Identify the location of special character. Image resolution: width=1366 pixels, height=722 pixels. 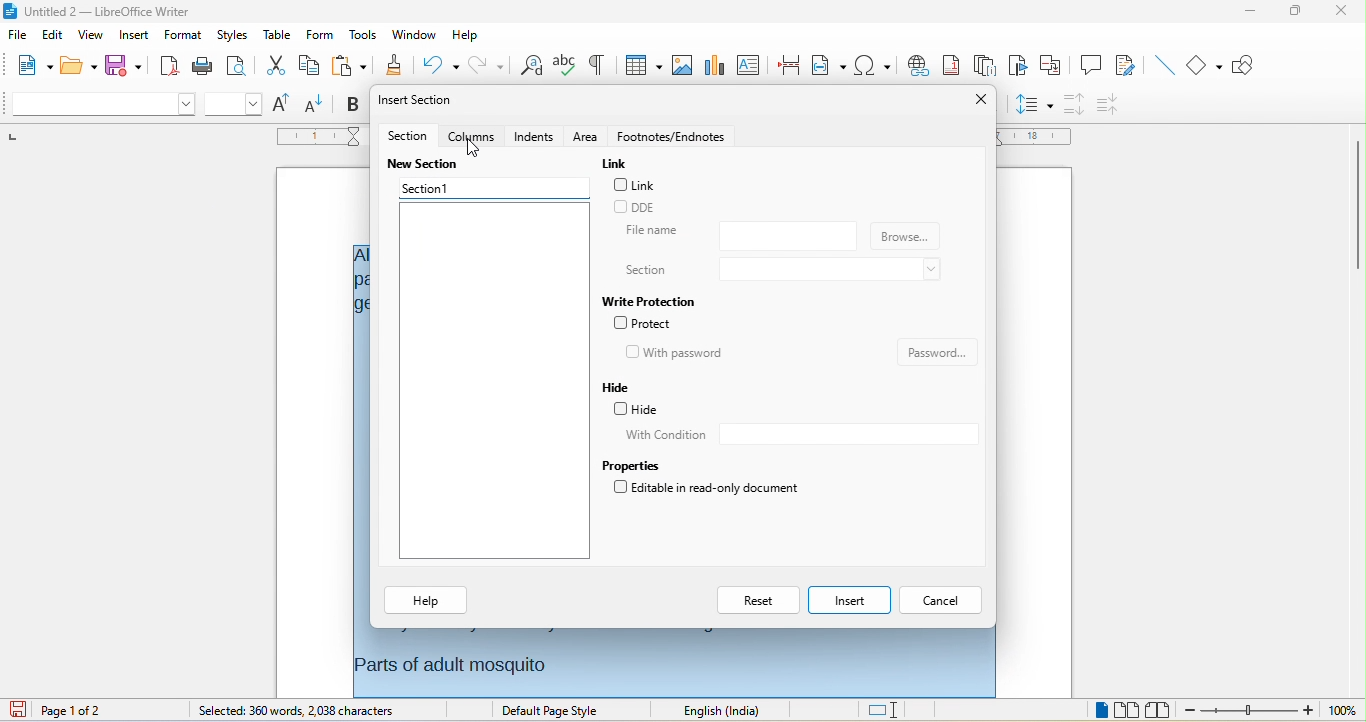
(875, 65).